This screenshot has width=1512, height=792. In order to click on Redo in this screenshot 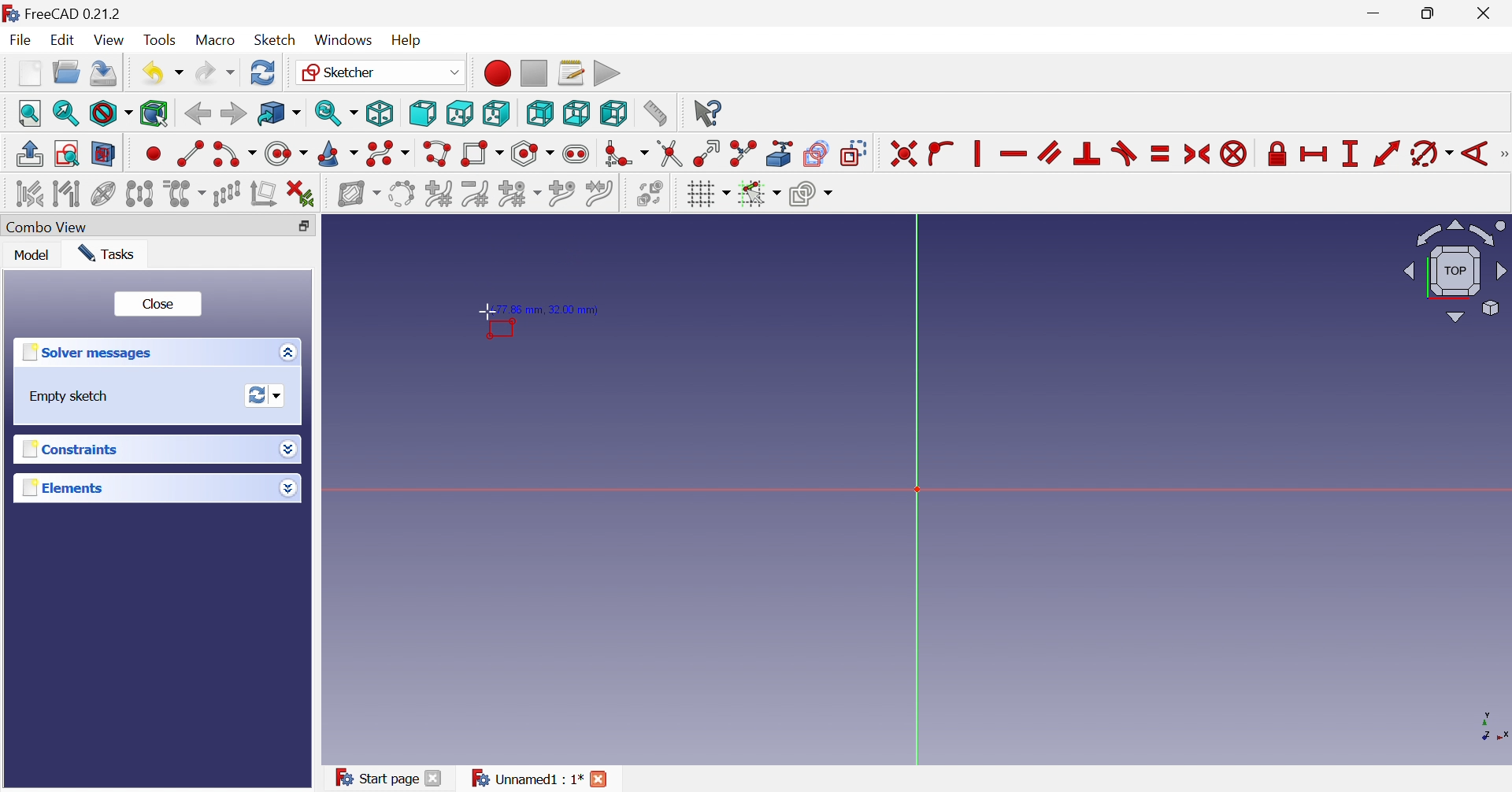, I will do `click(215, 73)`.